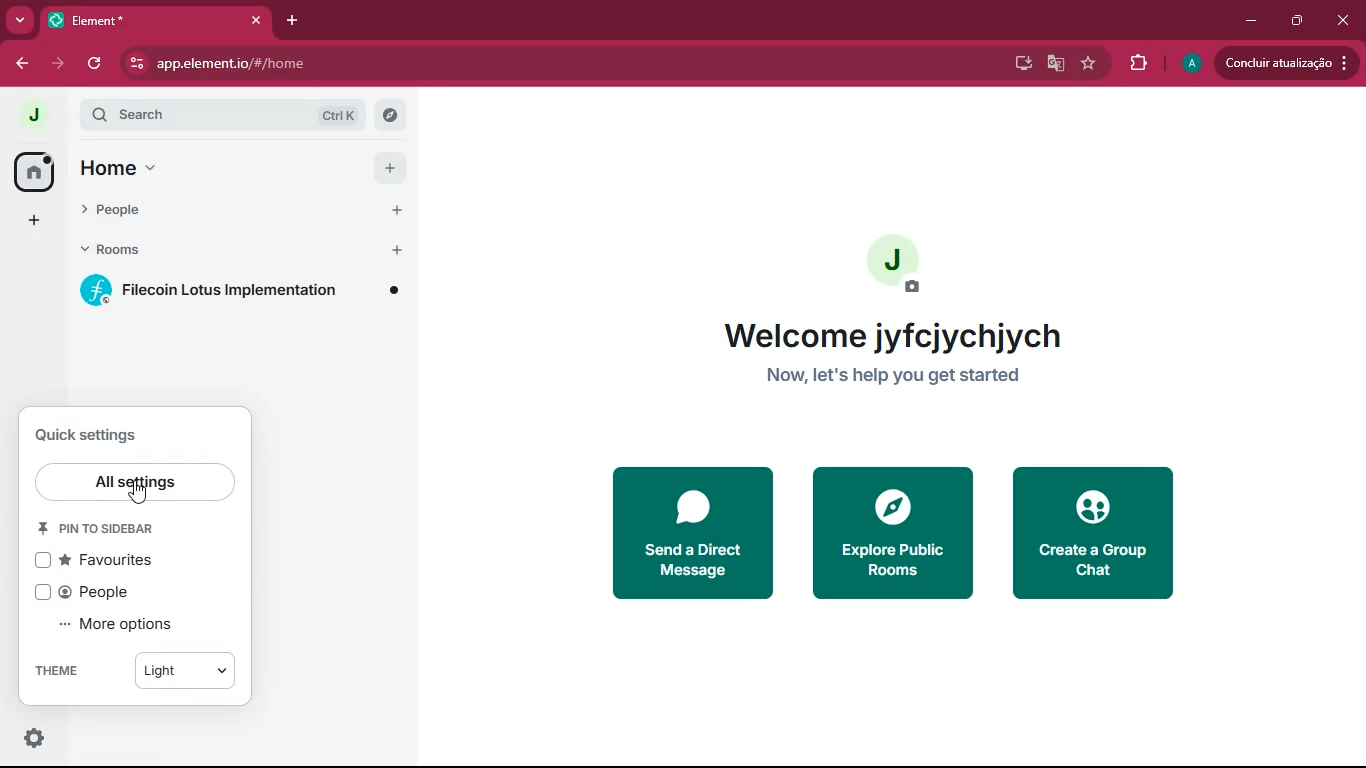  I want to click on forward, so click(58, 64).